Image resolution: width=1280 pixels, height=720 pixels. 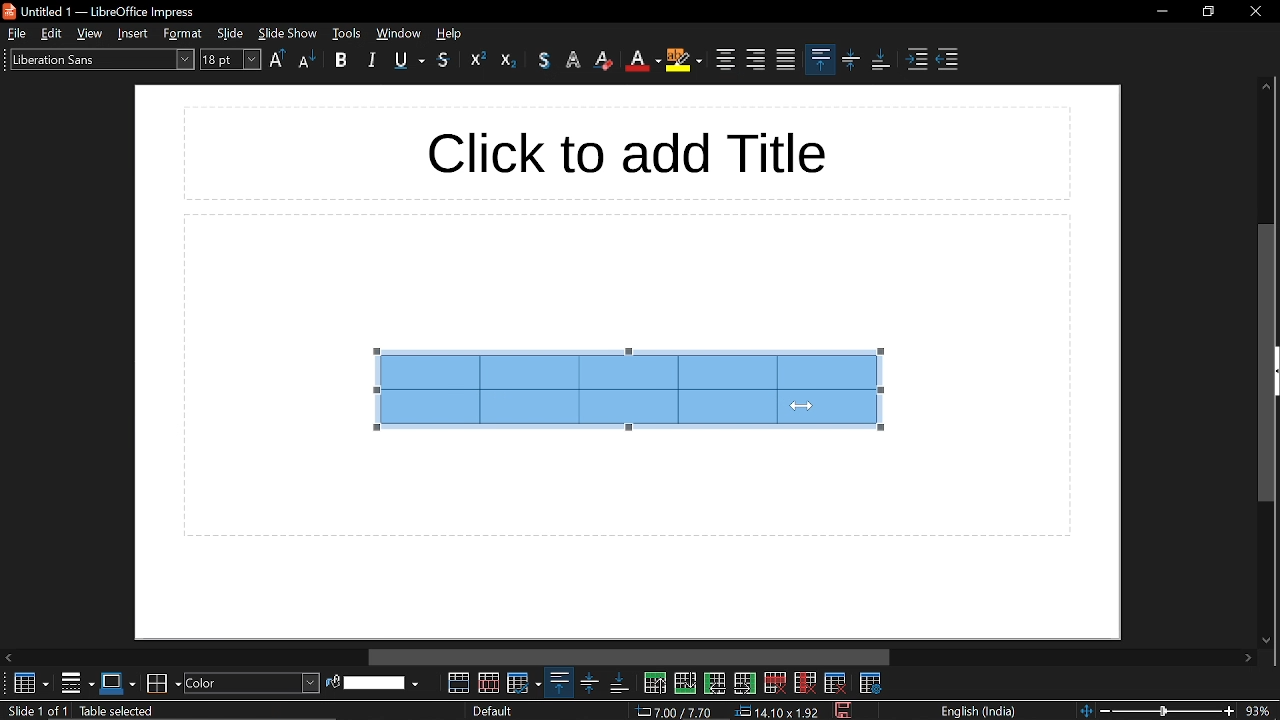 I want to click on increase indent, so click(x=919, y=59).